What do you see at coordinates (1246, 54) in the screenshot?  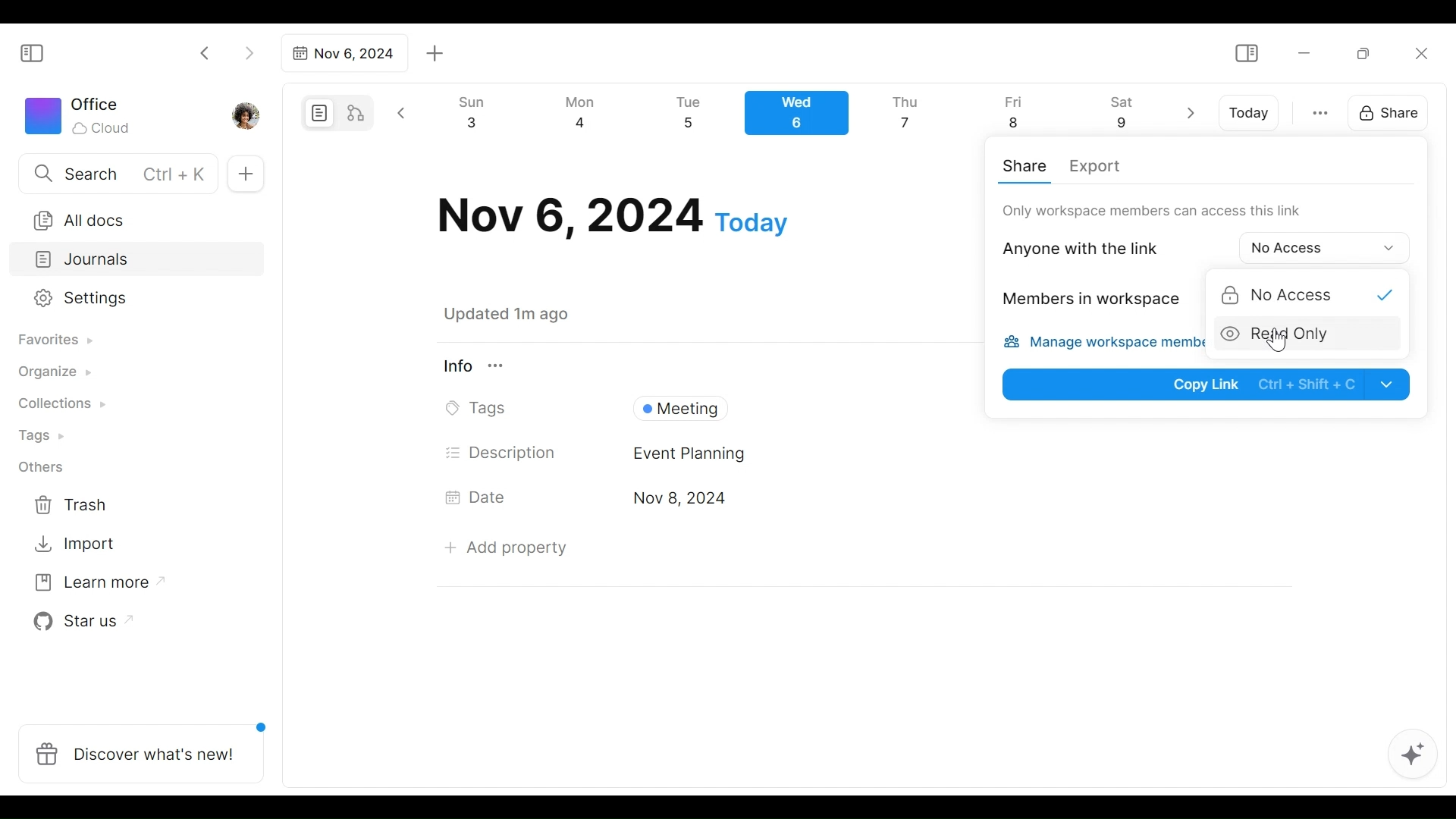 I see `Show/Hide Sidebar` at bounding box center [1246, 54].